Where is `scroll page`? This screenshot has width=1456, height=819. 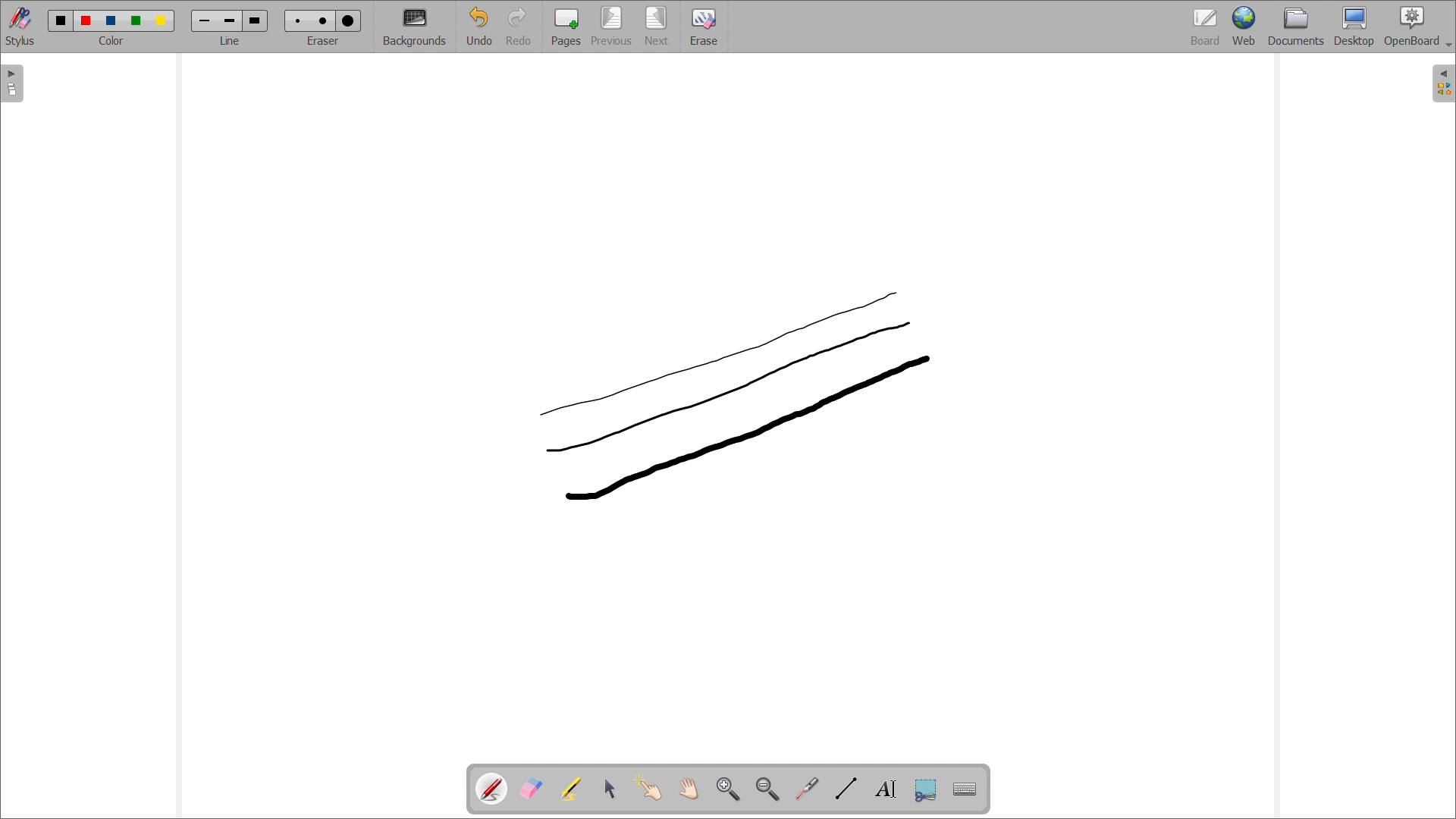 scroll page is located at coordinates (689, 788).